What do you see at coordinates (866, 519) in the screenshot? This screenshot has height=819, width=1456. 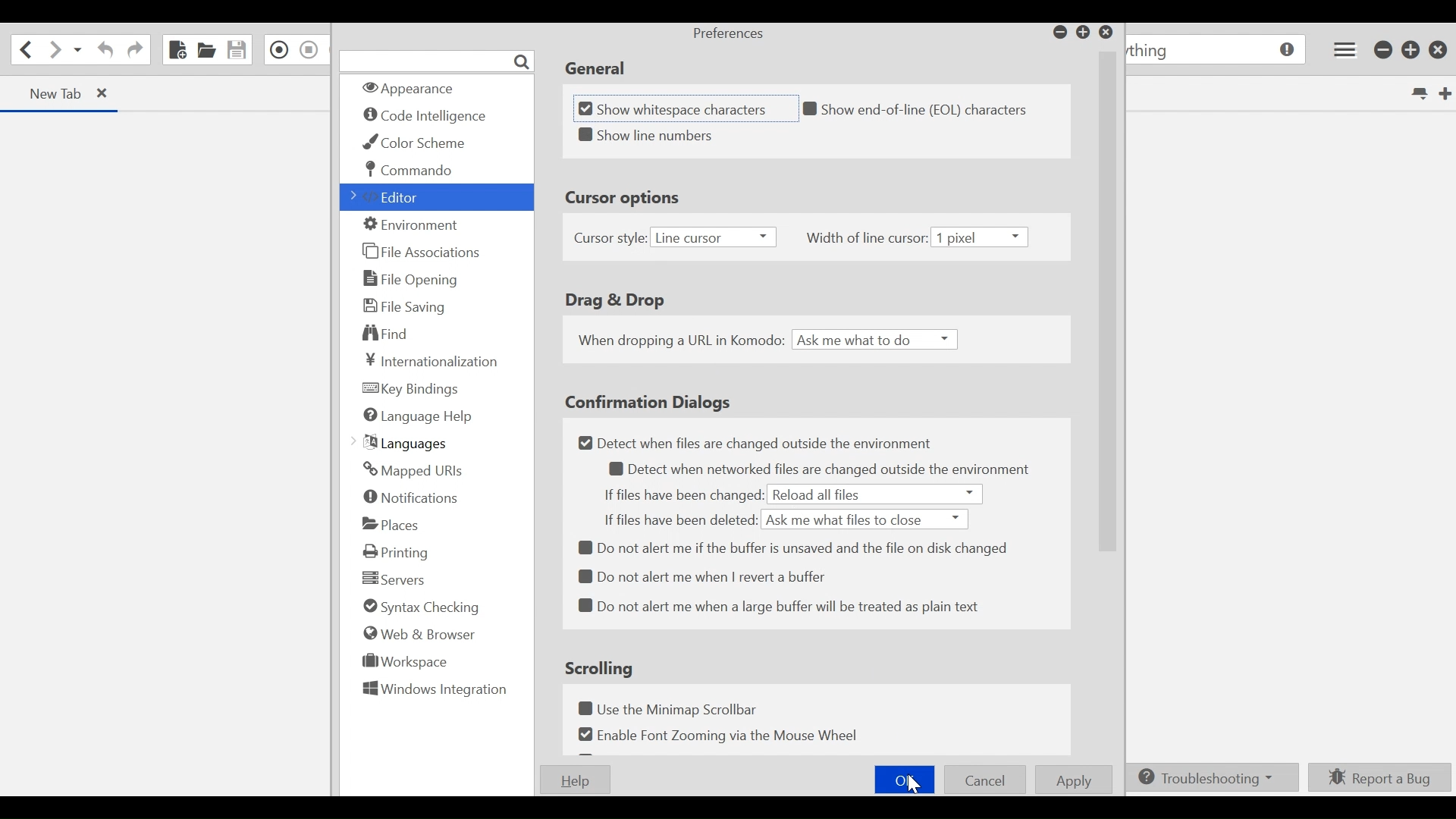 I see ` Ask me what files to close ` at bounding box center [866, 519].